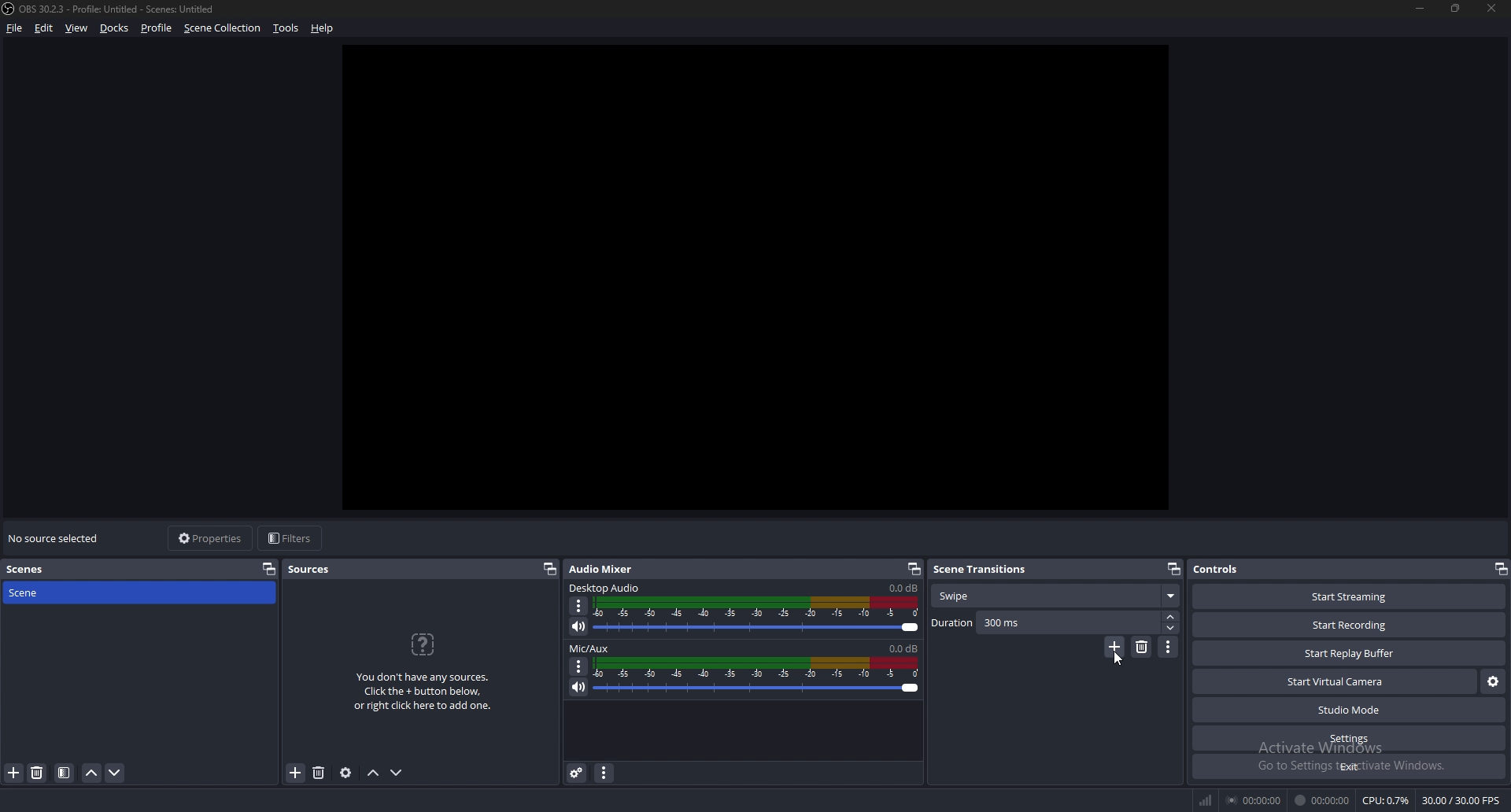  What do you see at coordinates (759, 677) in the screenshot?
I see `volume adjust` at bounding box center [759, 677].